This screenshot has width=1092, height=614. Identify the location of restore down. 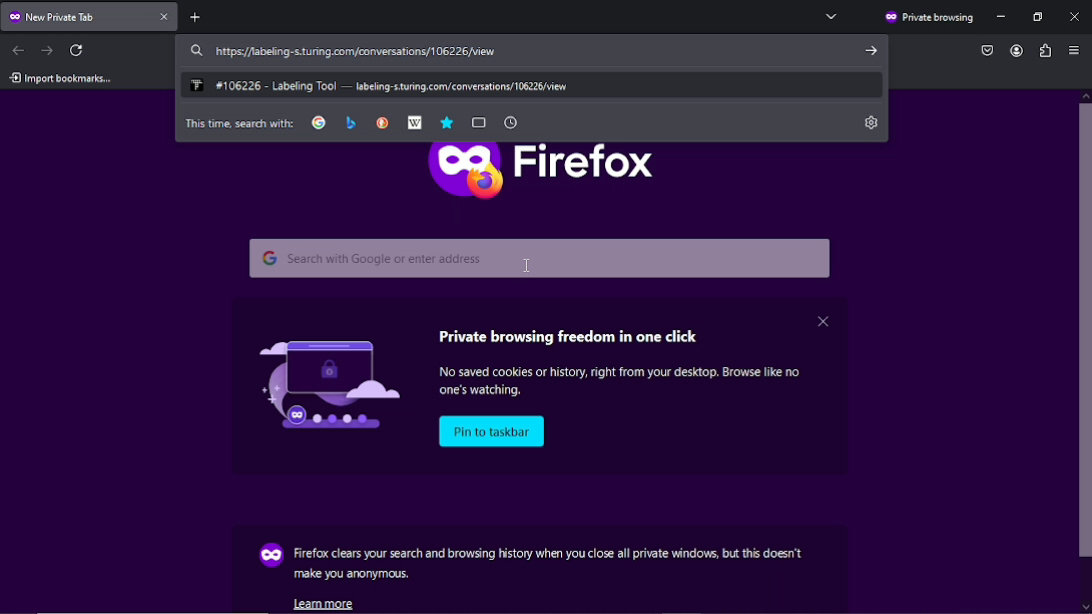
(1039, 17).